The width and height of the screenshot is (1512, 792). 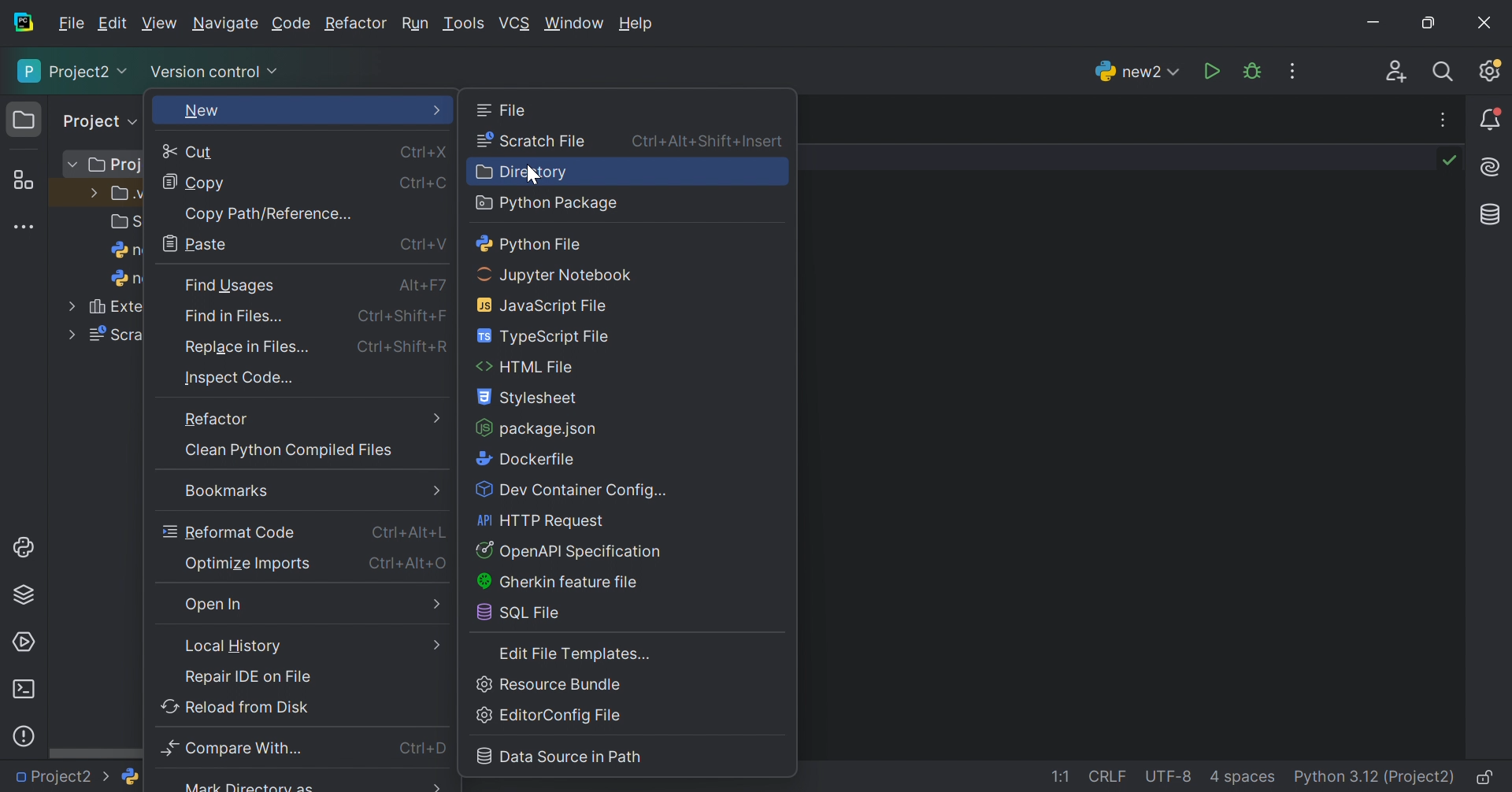 What do you see at coordinates (27, 690) in the screenshot?
I see `terminal` at bounding box center [27, 690].